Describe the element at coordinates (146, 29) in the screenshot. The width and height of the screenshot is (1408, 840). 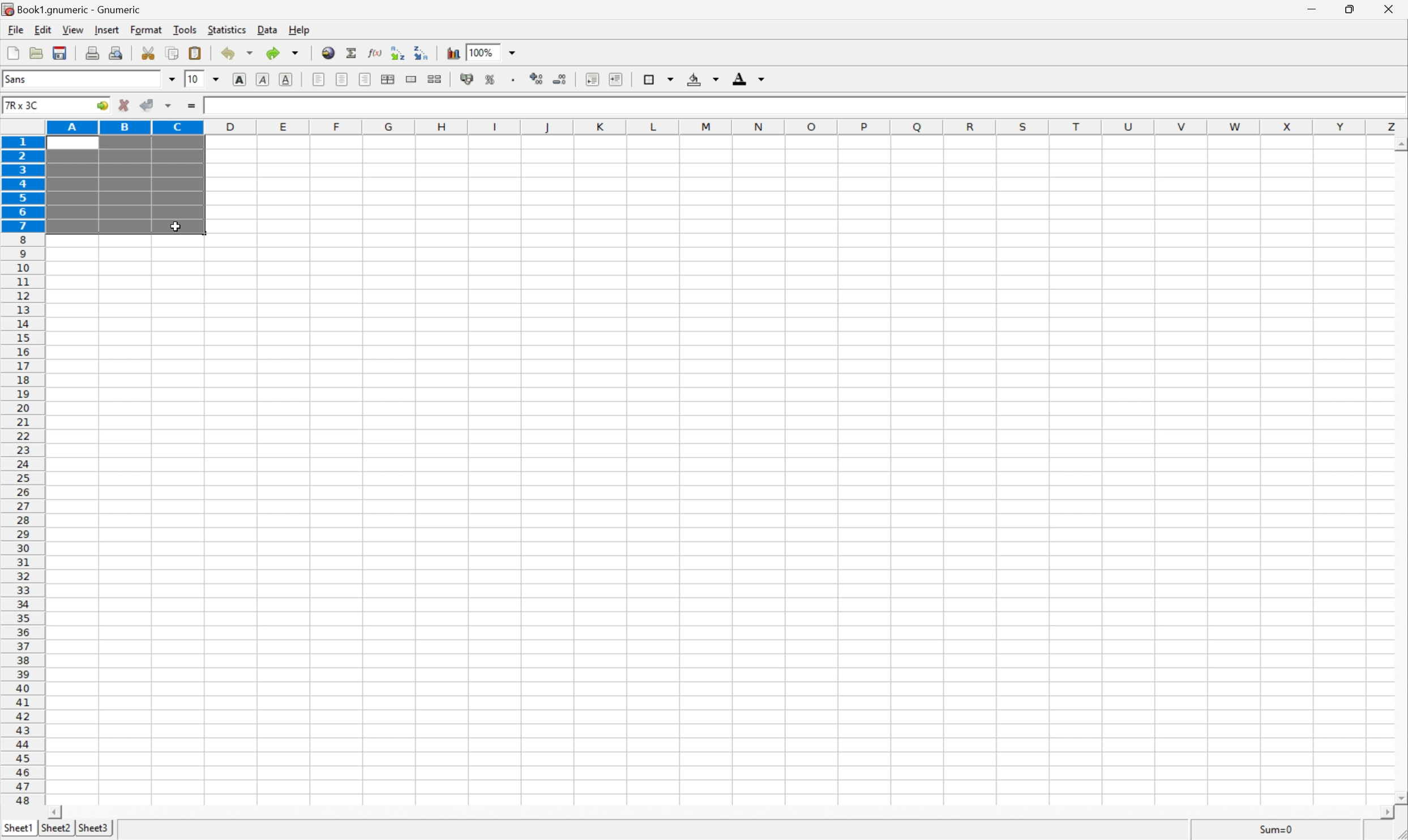
I see `format` at that location.